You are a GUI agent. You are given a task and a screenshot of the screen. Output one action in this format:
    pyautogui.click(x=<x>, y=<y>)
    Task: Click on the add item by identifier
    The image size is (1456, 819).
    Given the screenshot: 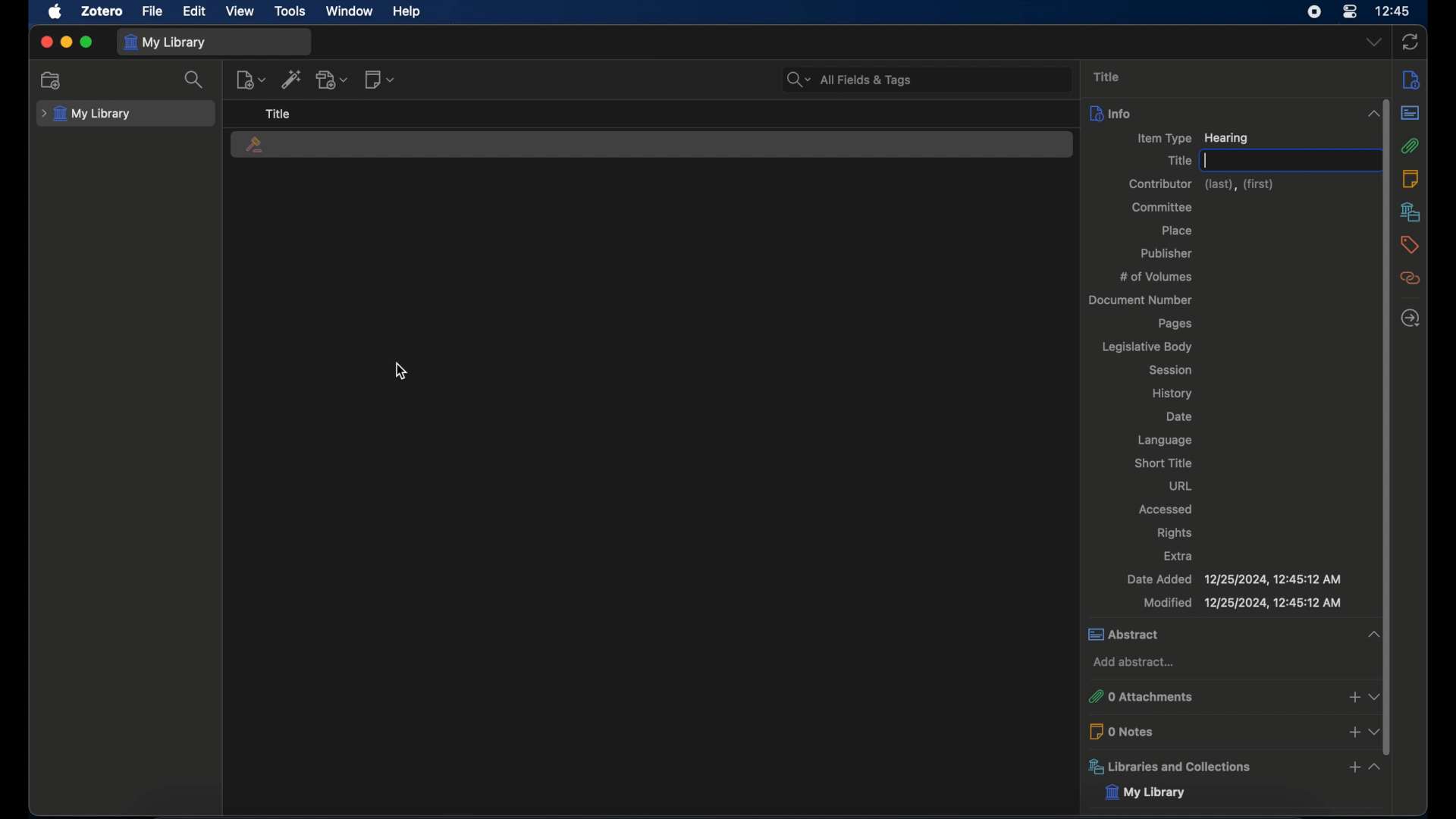 What is the action you would take?
    pyautogui.click(x=292, y=79)
    